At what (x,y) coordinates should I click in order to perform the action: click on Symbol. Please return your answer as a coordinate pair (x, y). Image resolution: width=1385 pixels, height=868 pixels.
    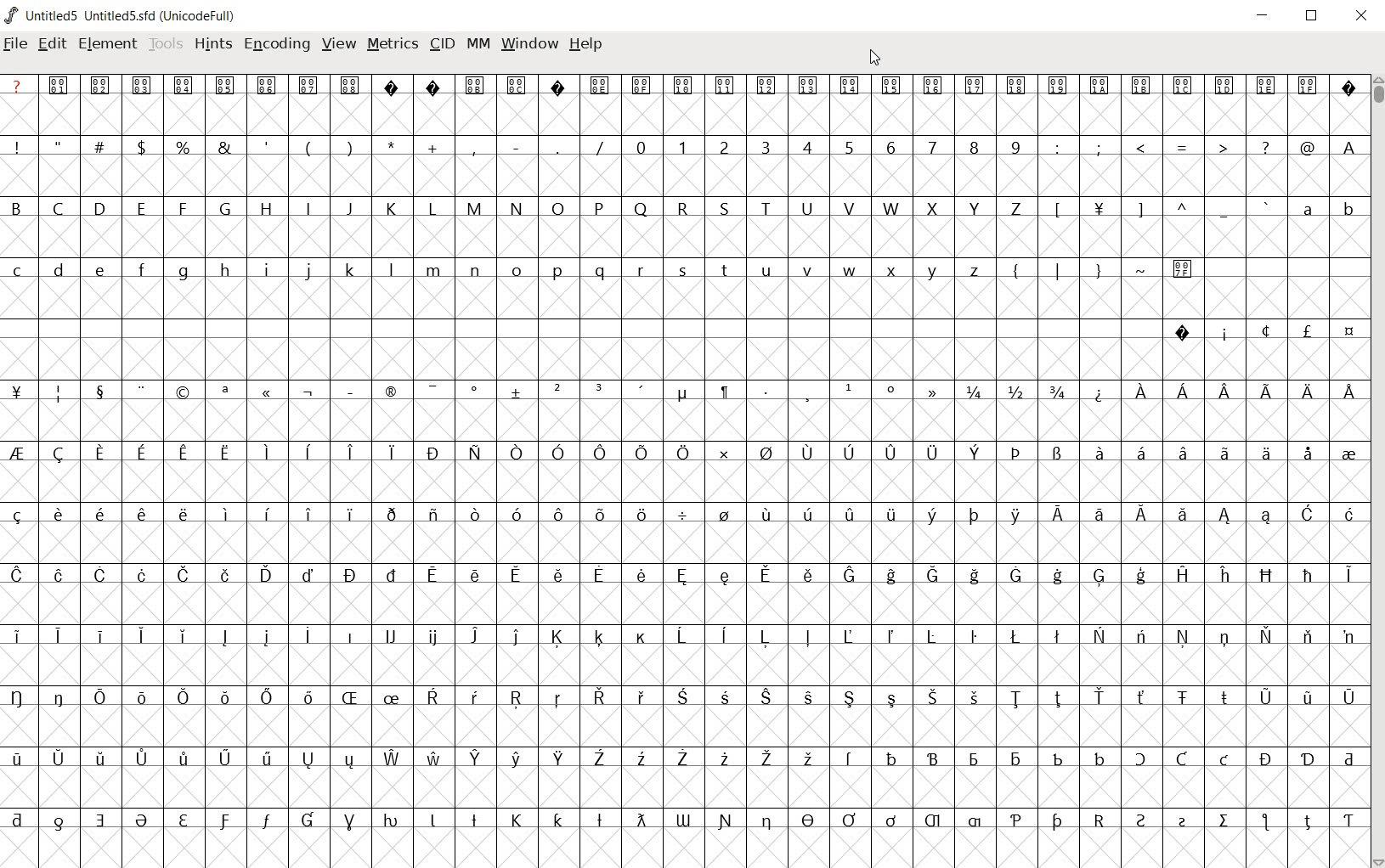
    Looking at the image, I should click on (936, 391).